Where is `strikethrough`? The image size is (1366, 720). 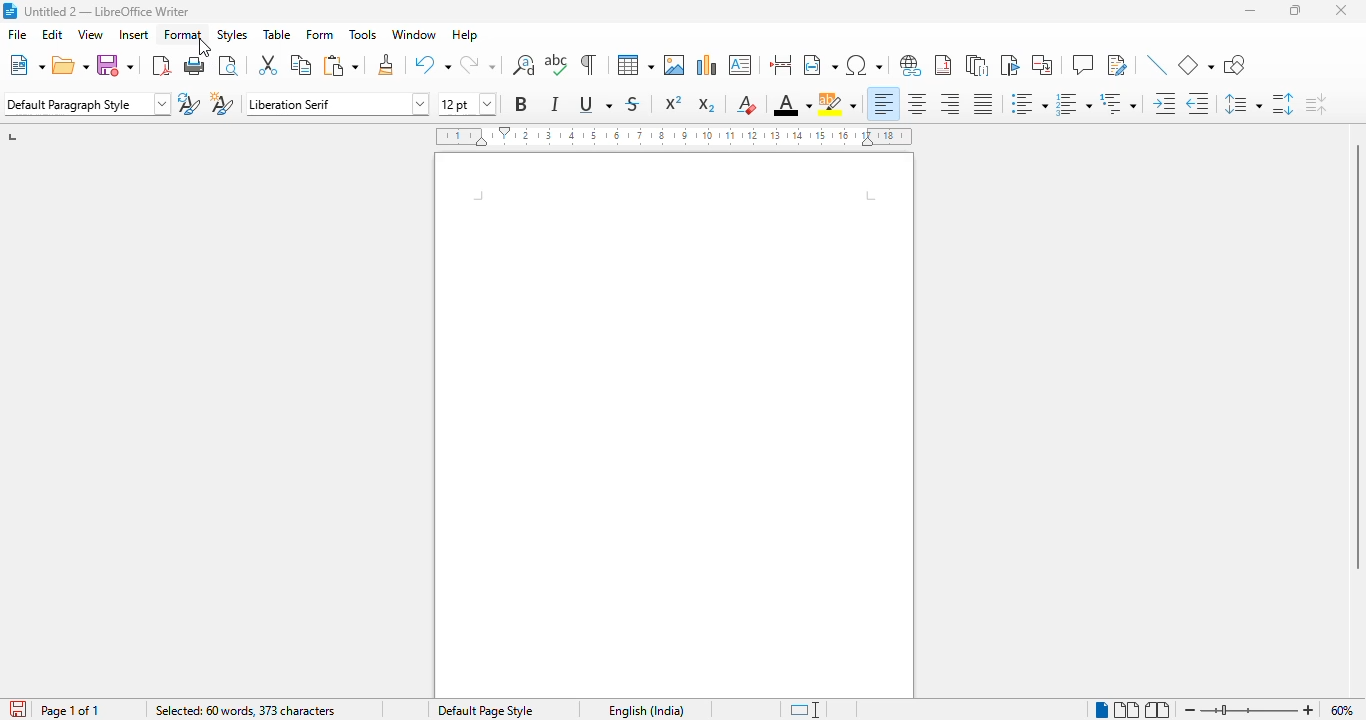
strikethrough is located at coordinates (632, 104).